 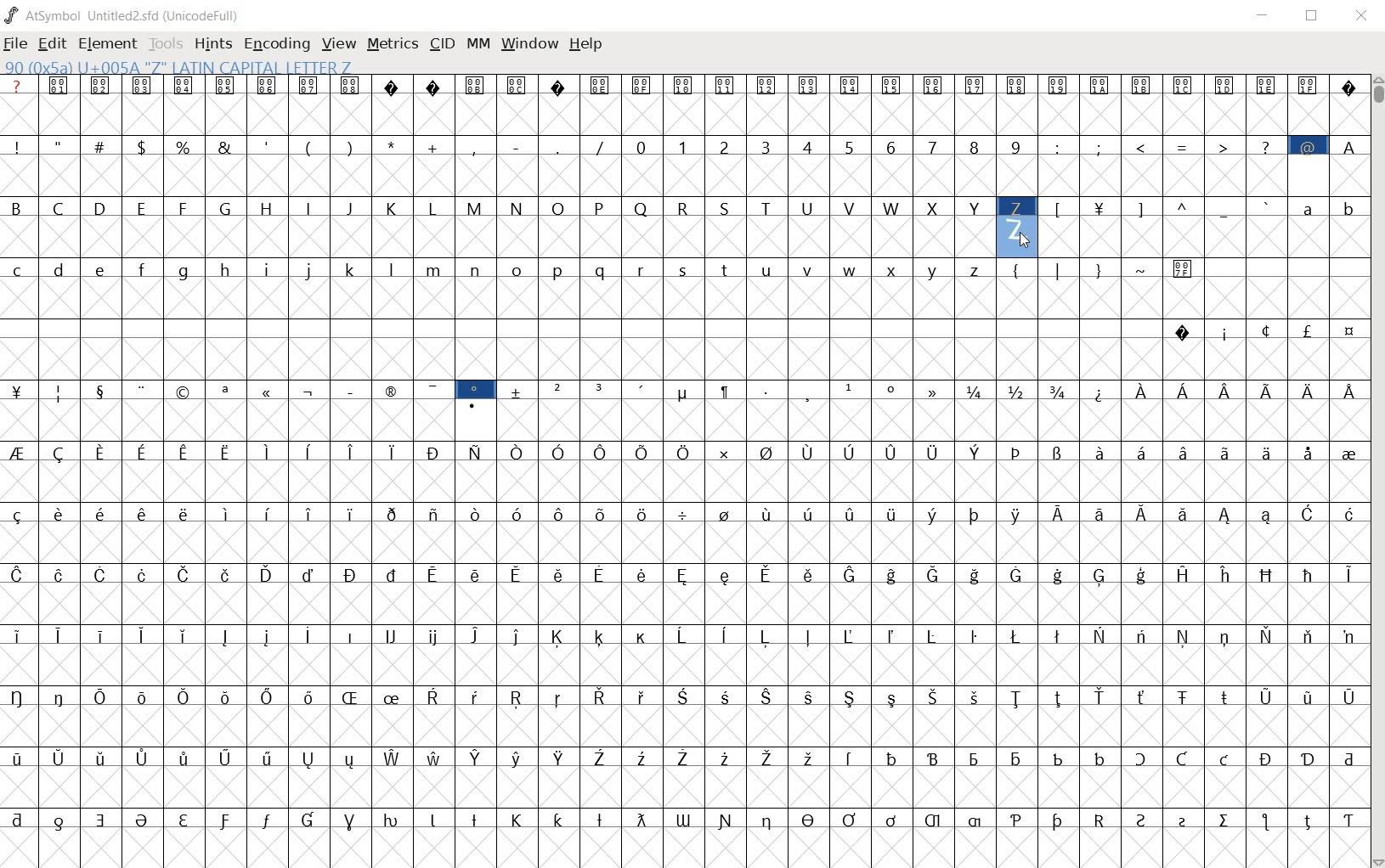 I want to click on hints, so click(x=213, y=45).